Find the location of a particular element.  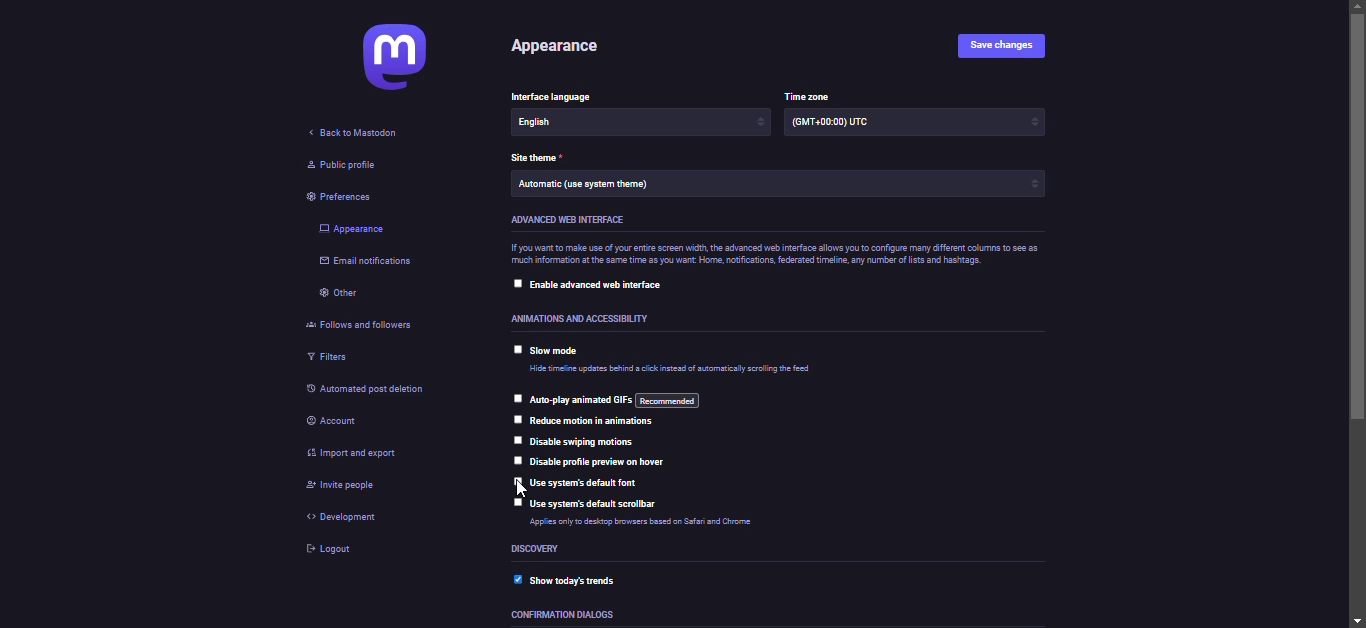

import & export is located at coordinates (352, 454).